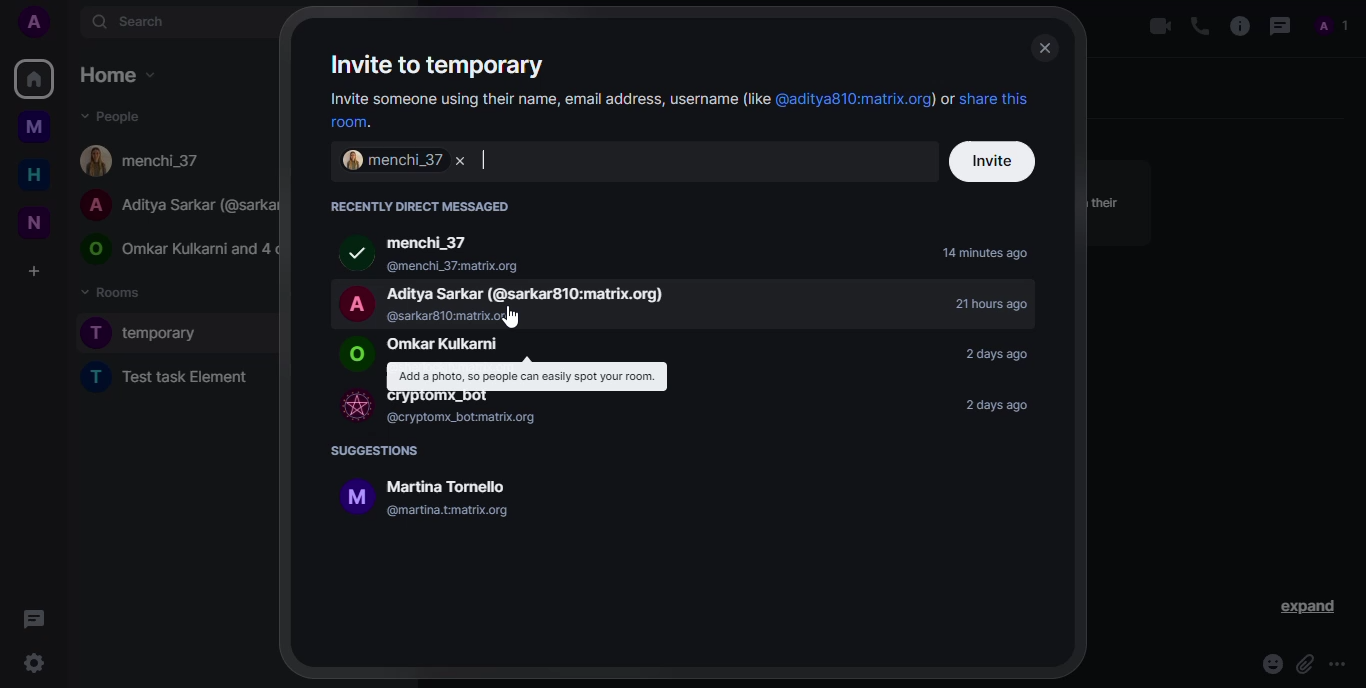  I want to click on threads, so click(1278, 26).